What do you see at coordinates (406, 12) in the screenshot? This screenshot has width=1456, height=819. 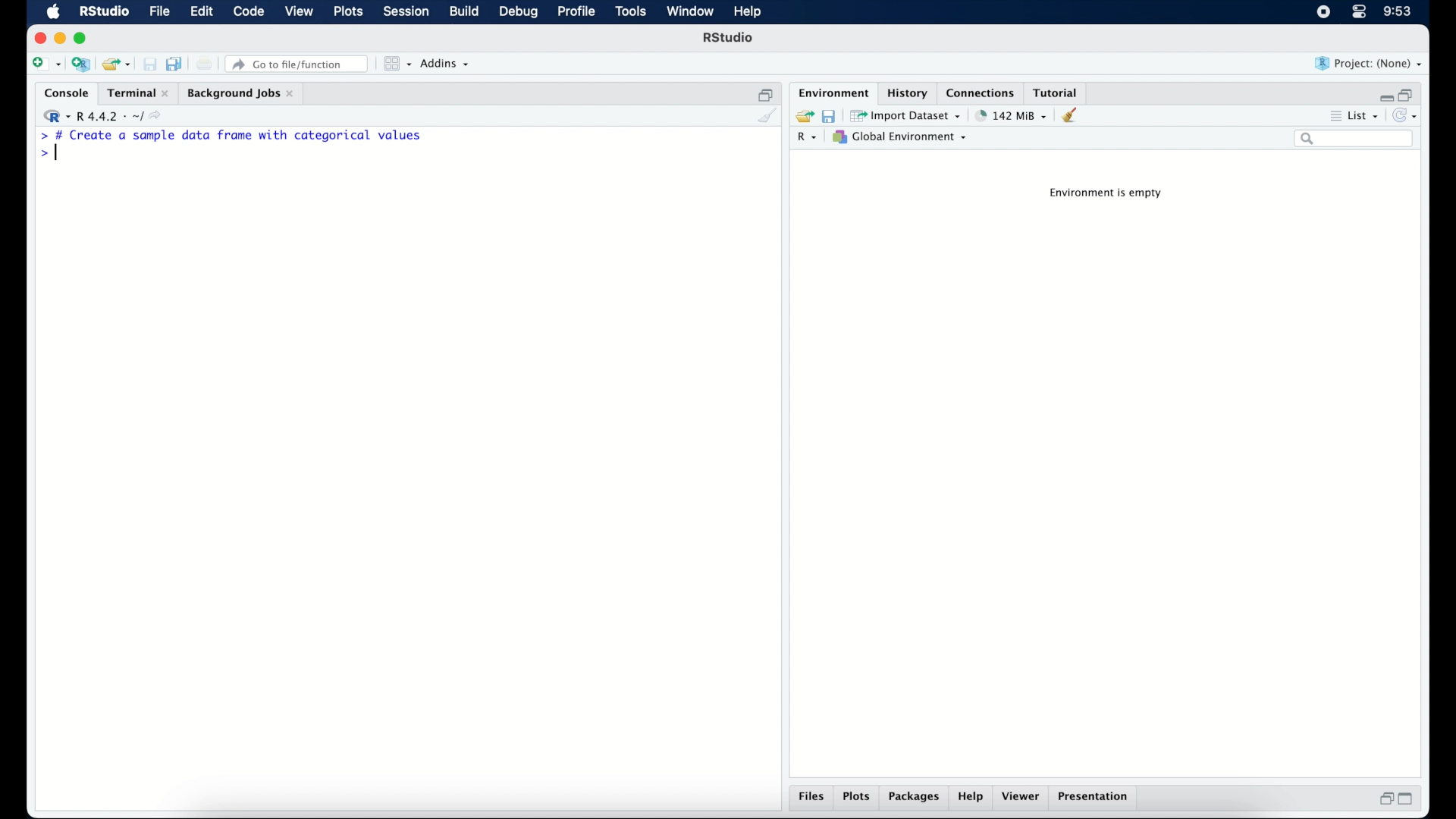 I see `session` at bounding box center [406, 12].